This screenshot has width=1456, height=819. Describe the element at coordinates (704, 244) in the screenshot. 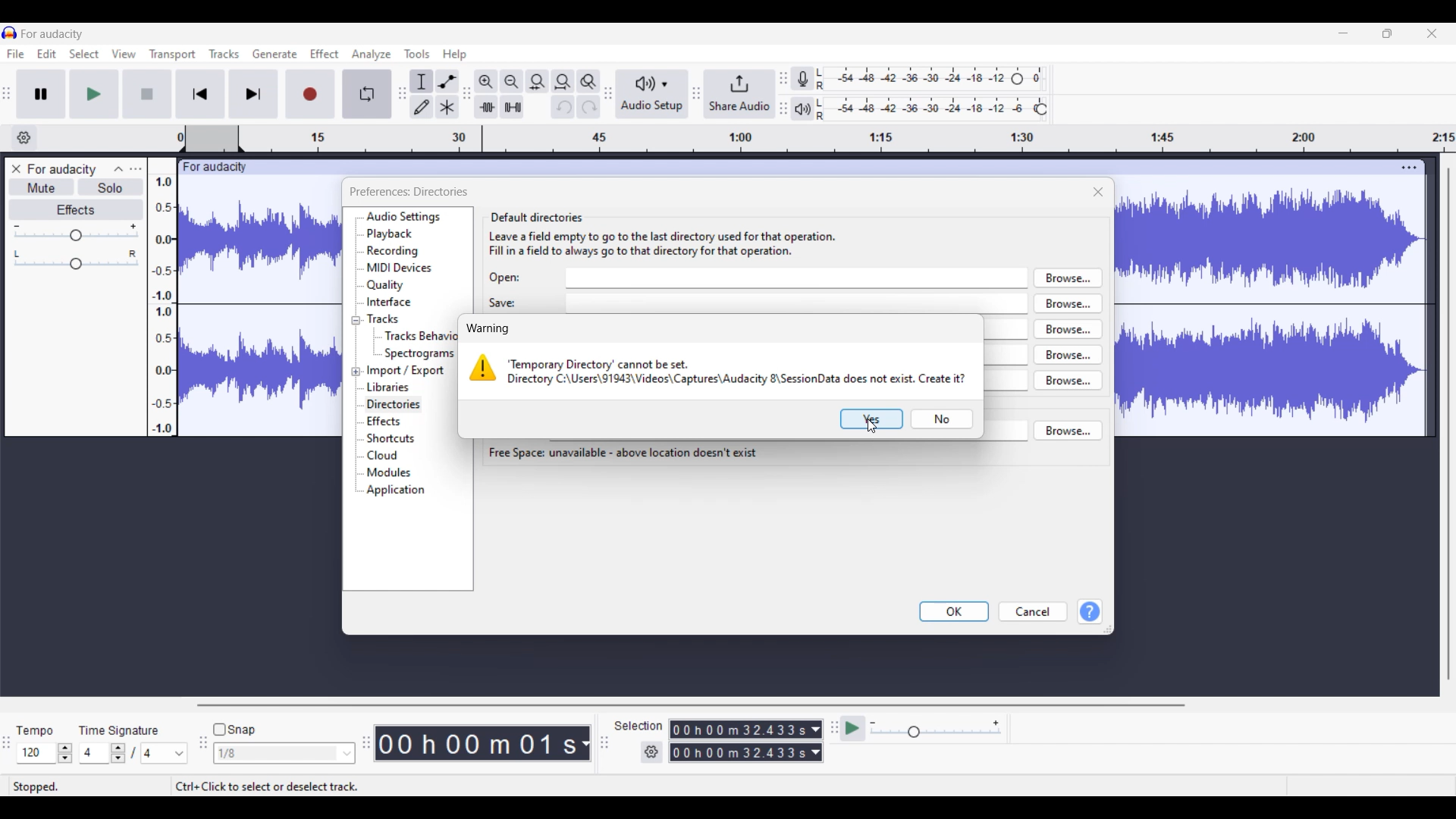

I see `Leave a field empty to go to the last directory used for that operation.
Fill in a field to always go to that directory for that operation.` at that location.